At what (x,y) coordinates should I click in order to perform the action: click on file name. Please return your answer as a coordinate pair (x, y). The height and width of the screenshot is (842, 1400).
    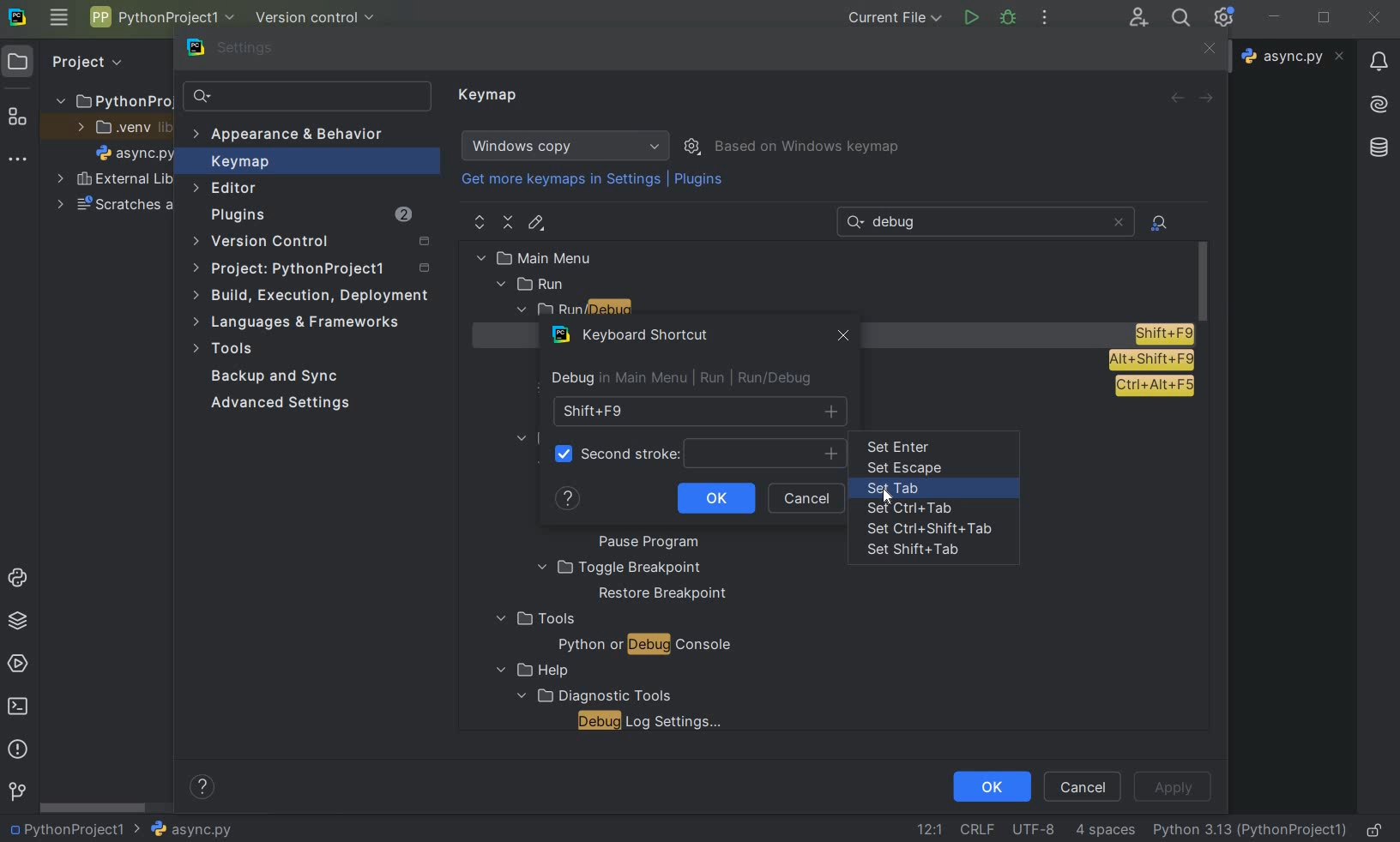
    Looking at the image, I should click on (183, 829).